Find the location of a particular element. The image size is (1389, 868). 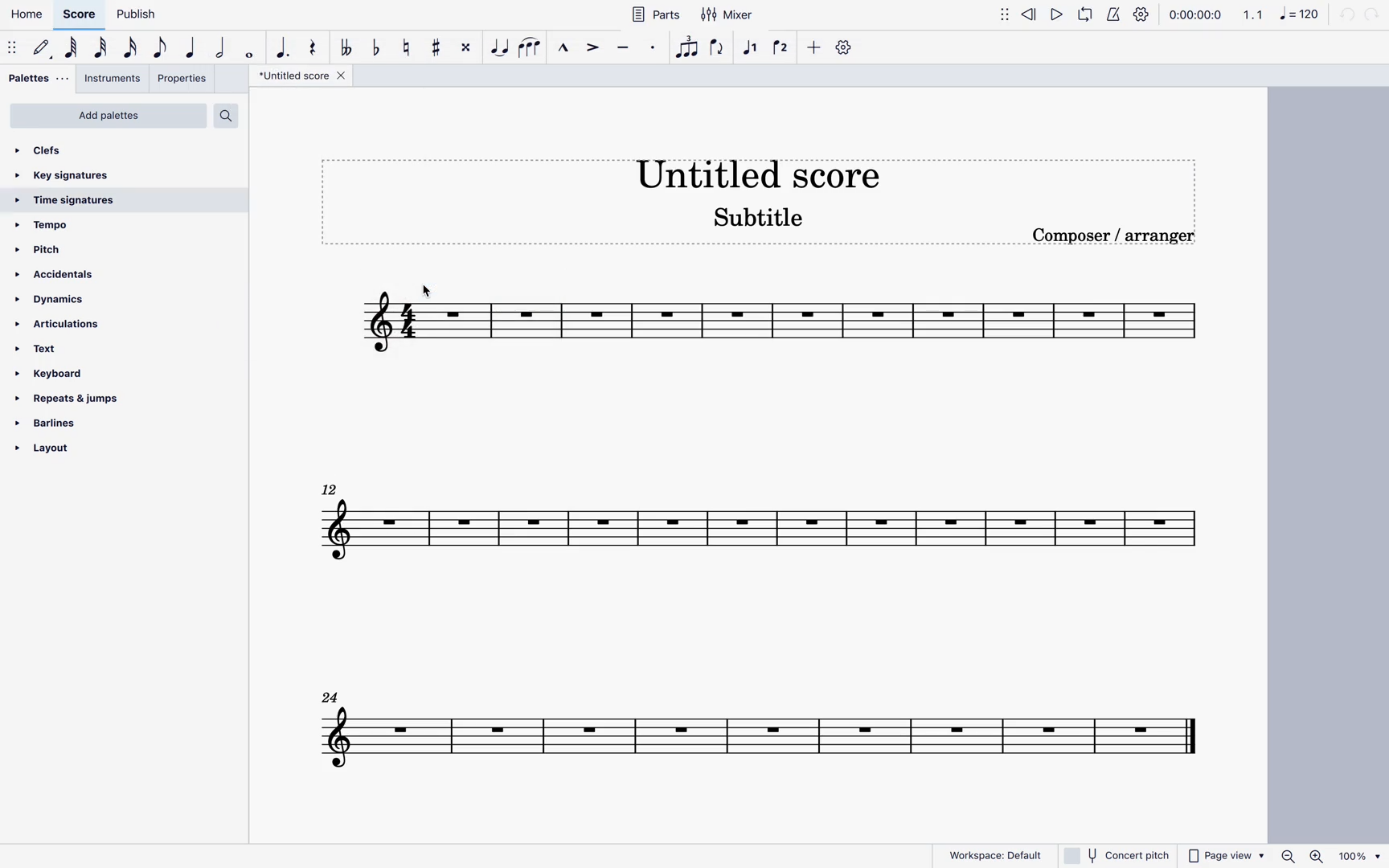

properties is located at coordinates (182, 80).